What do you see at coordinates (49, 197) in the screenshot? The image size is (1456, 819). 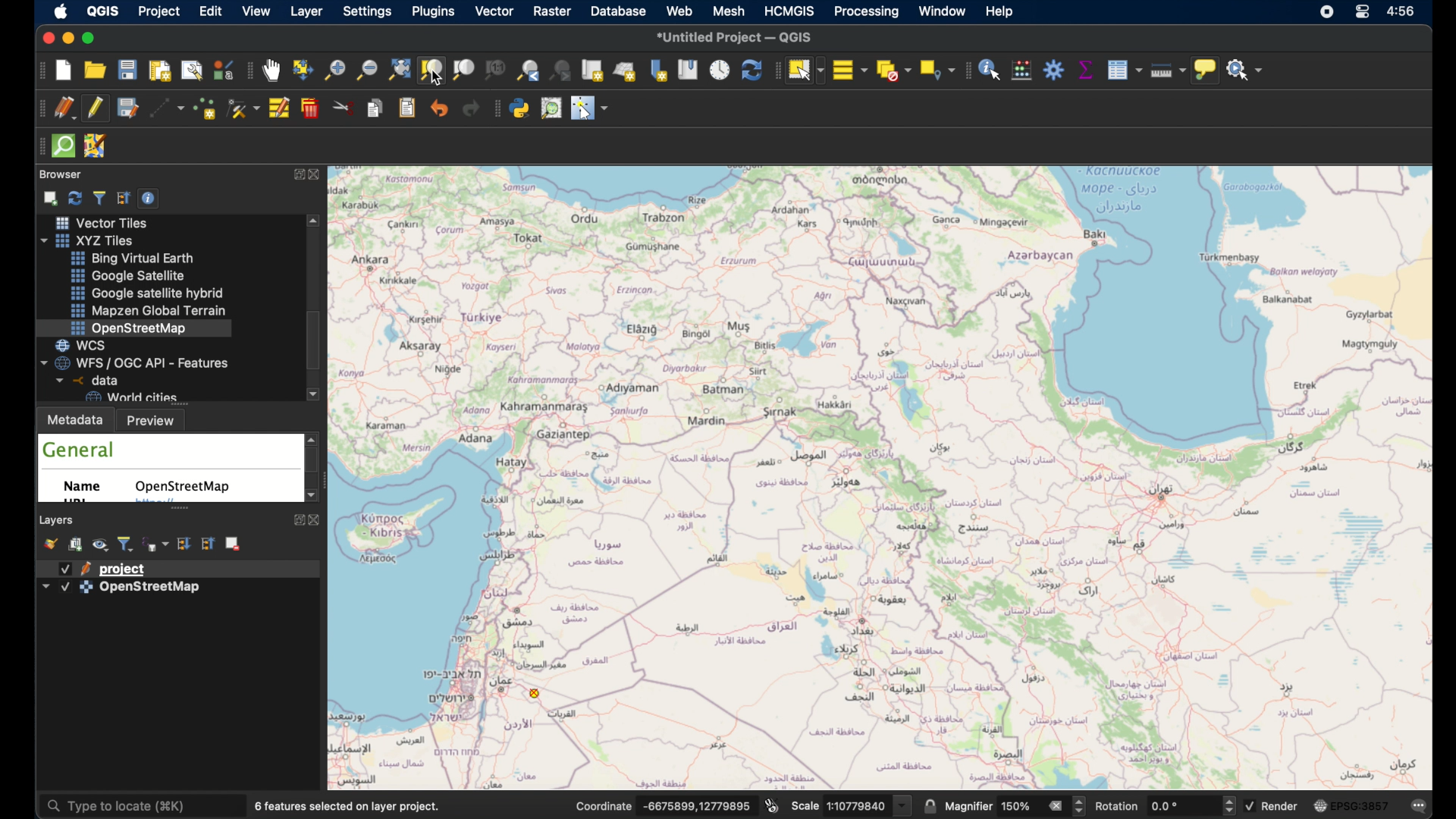 I see `add selected layers` at bounding box center [49, 197].